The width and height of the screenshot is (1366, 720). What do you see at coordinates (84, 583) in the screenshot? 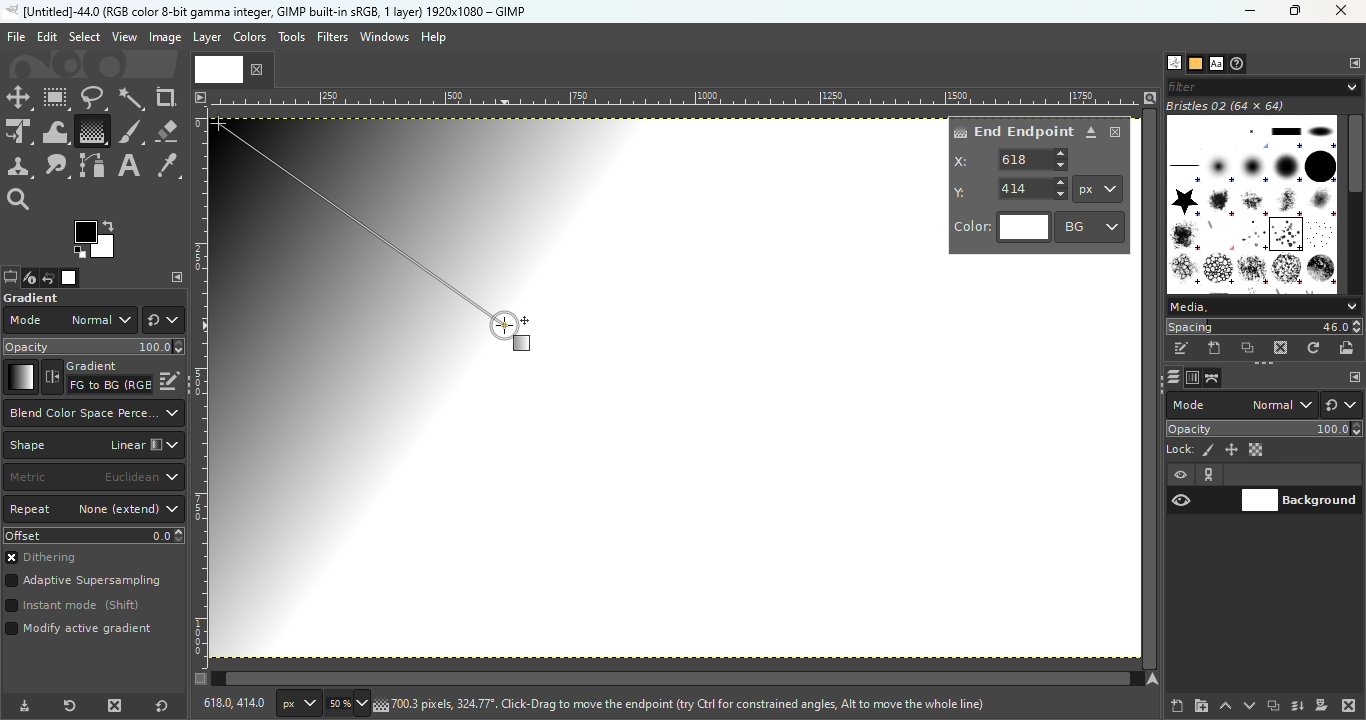
I see `Adaptive supersampling` at bounding box center [84, 583].